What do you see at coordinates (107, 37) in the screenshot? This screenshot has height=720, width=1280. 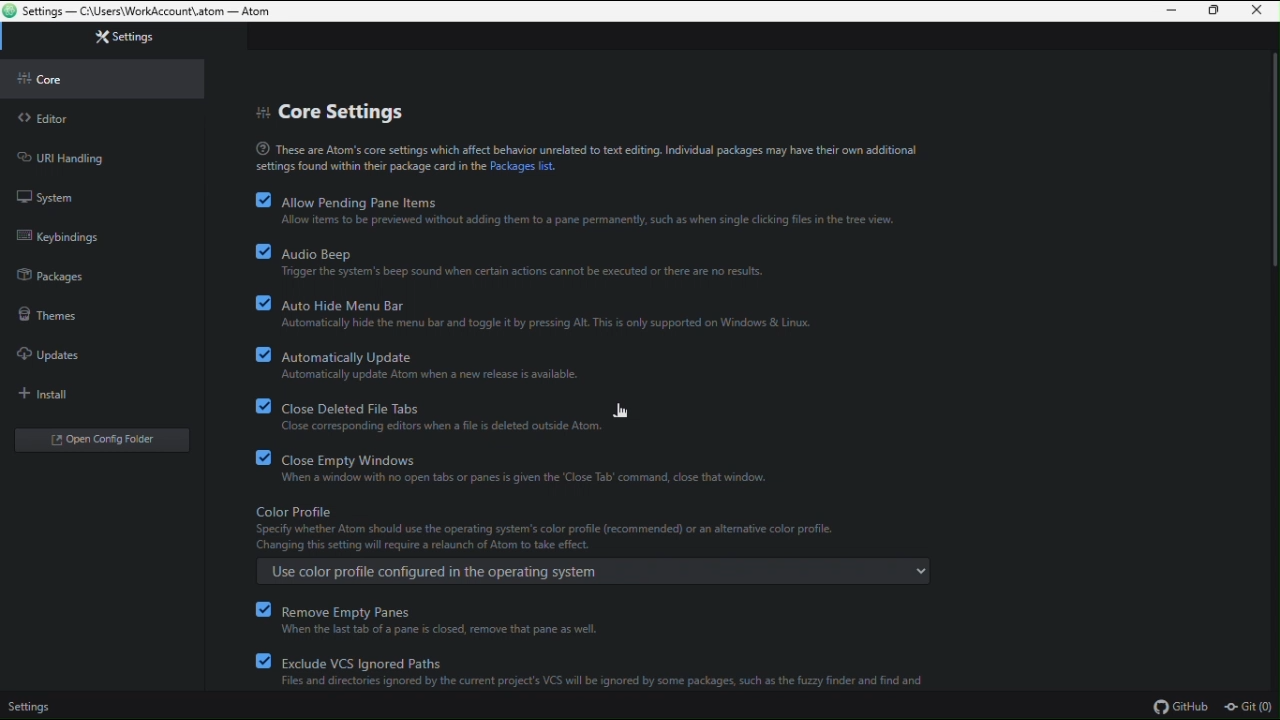 I see `Settings` at bounding box center [107, 37].